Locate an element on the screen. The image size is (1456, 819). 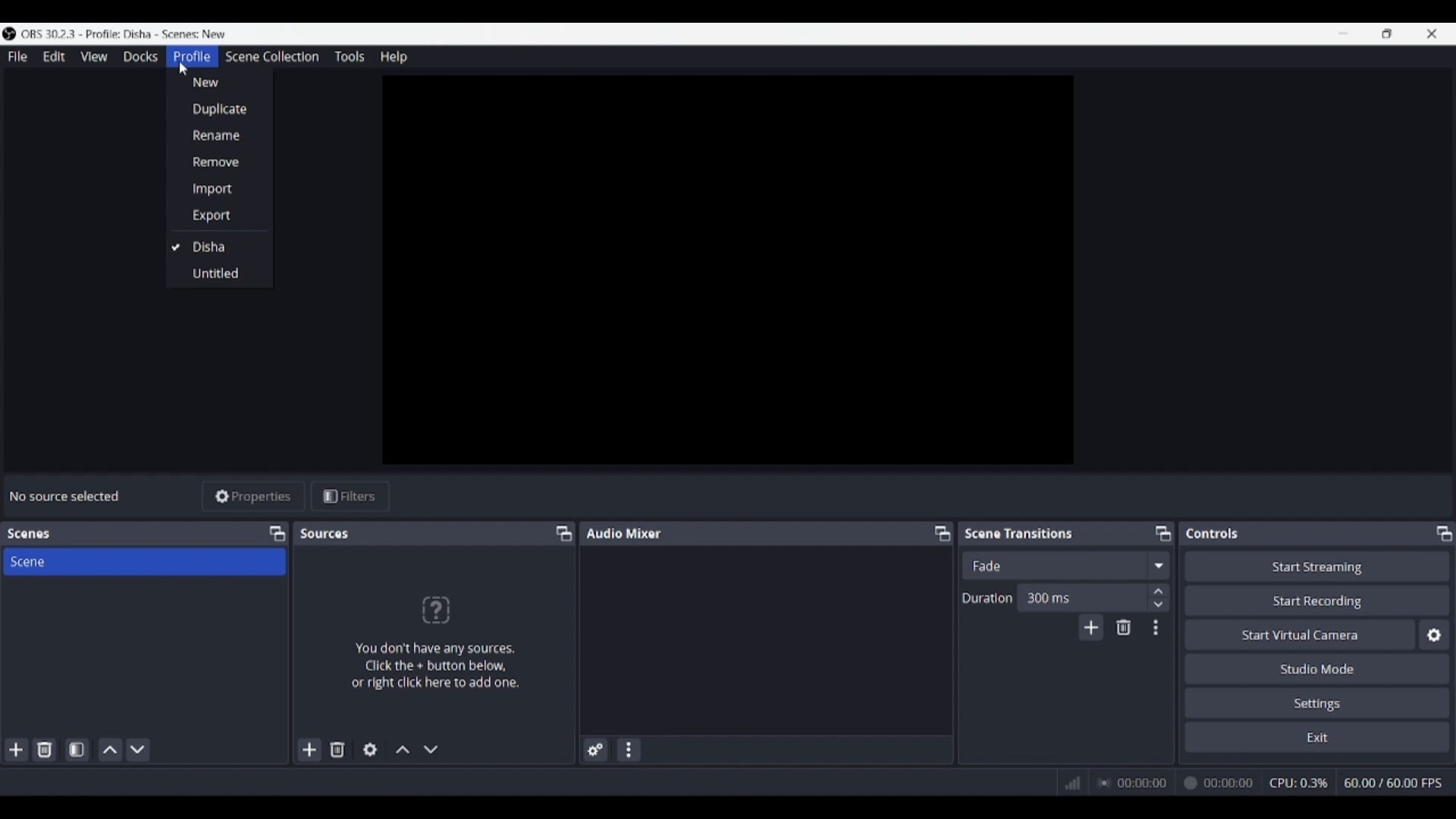
Help menu is located at coordinates (394, 57).